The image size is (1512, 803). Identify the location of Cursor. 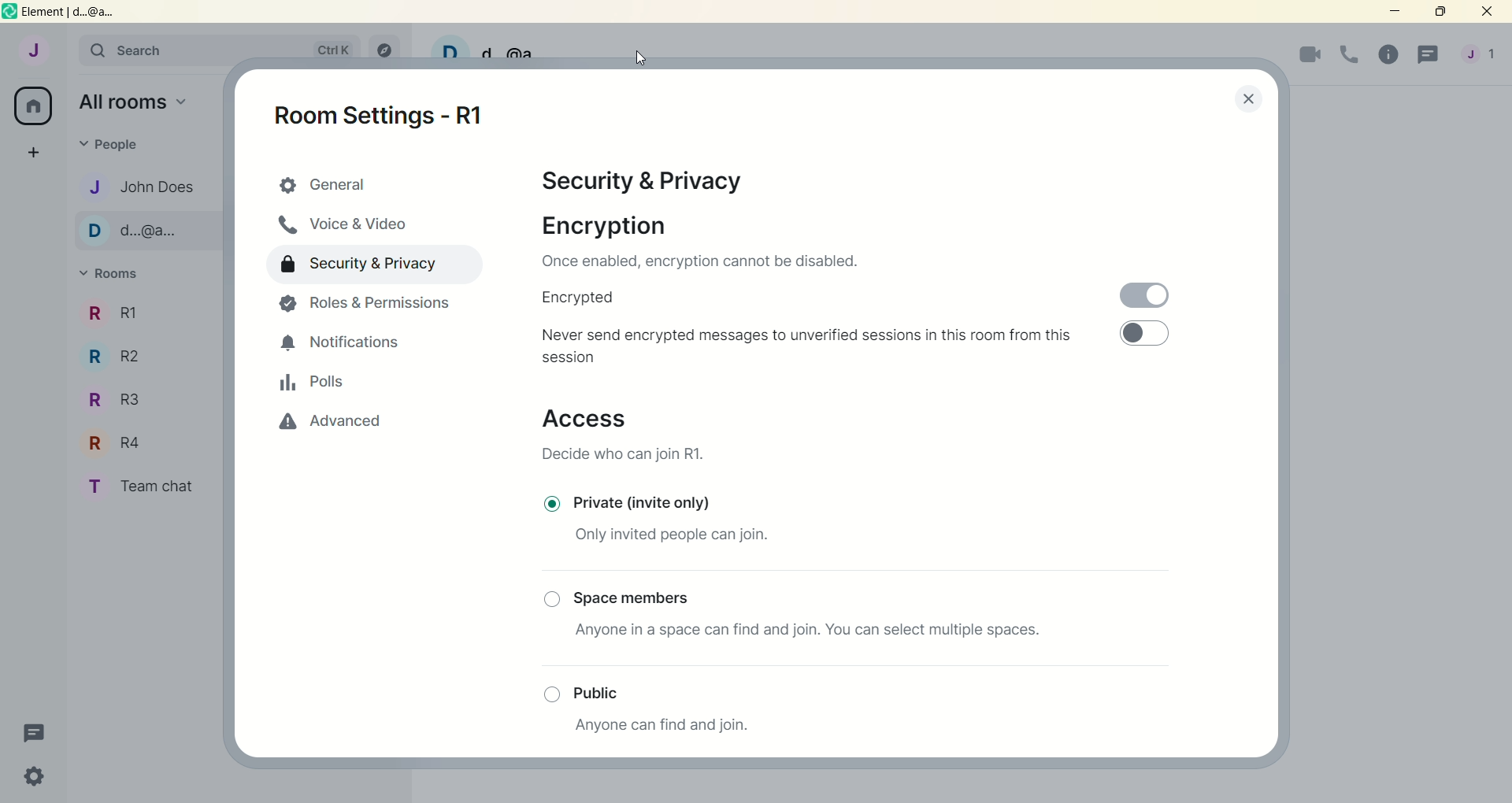
(640, 57).